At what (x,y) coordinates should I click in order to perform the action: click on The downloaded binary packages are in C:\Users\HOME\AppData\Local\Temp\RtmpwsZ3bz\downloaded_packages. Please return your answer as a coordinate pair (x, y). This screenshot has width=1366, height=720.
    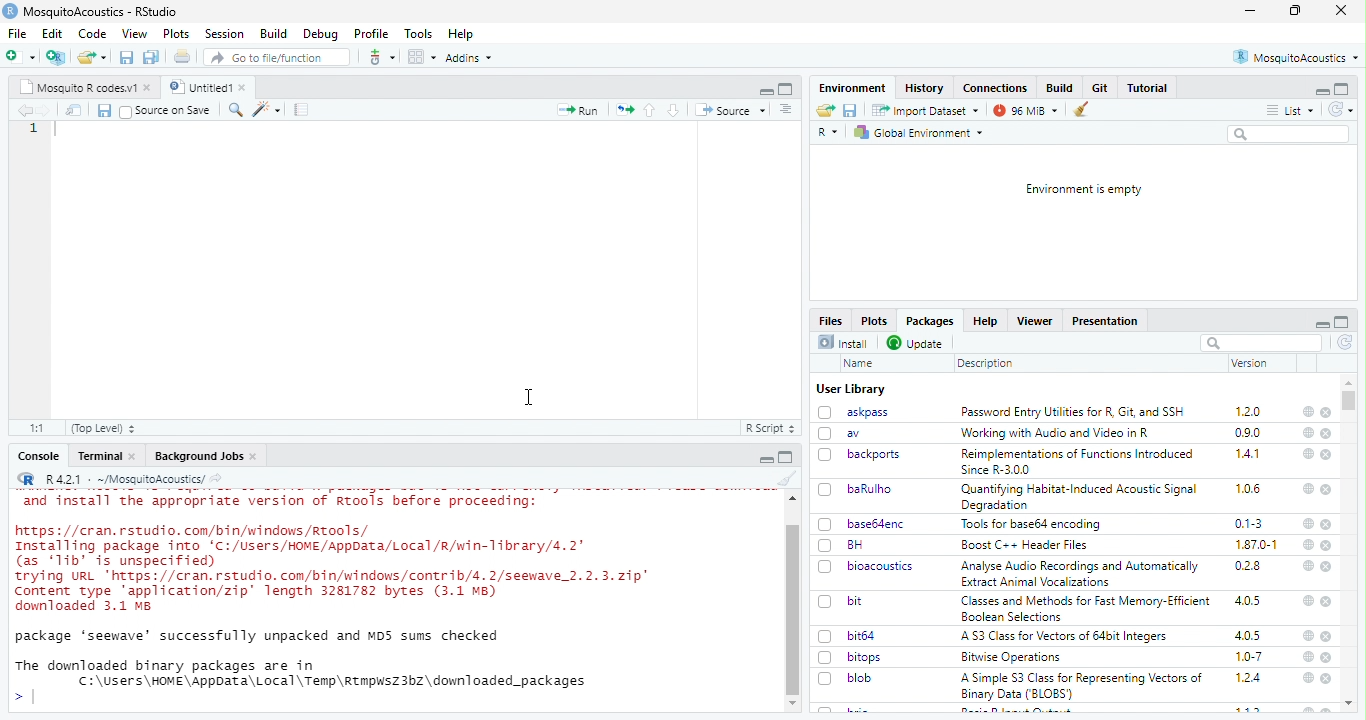
    Looking at the image, I should click on (301, 672).